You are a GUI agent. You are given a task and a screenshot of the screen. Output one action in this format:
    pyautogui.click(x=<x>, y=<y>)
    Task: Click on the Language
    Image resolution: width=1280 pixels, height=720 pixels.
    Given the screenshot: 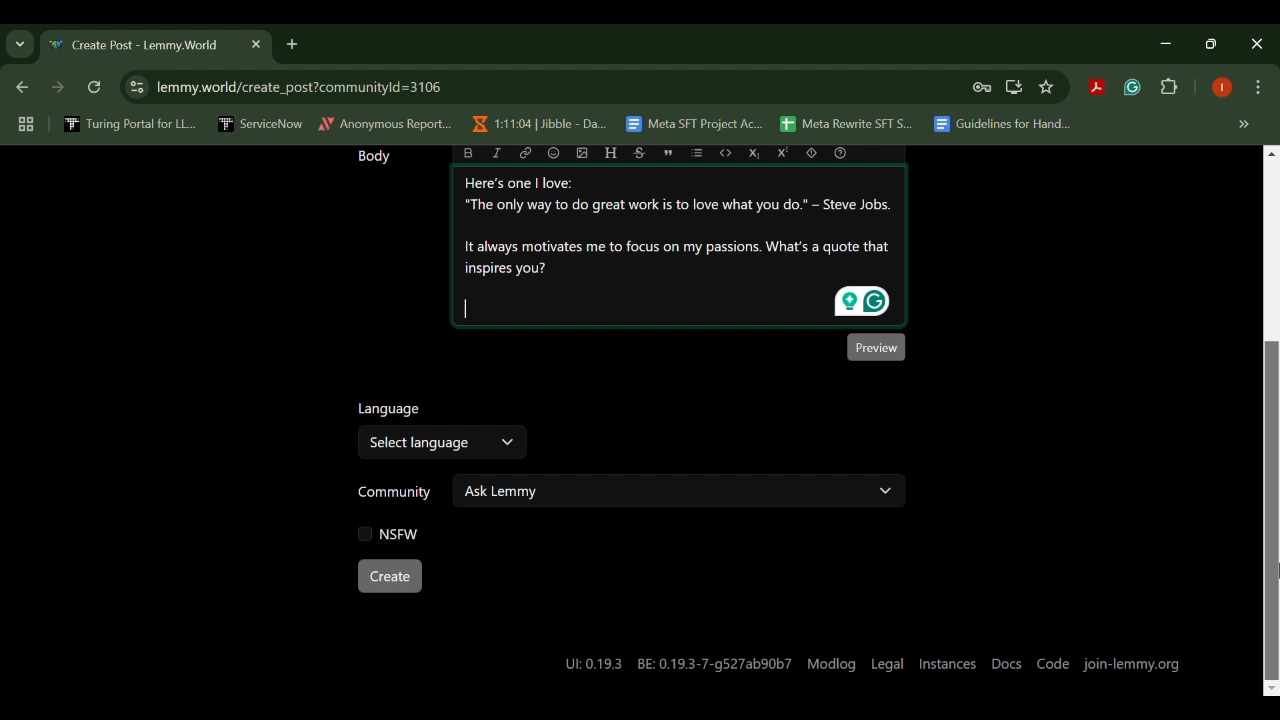 What is the action you would take?
    pyautogui.click(x=391, y=411)
    